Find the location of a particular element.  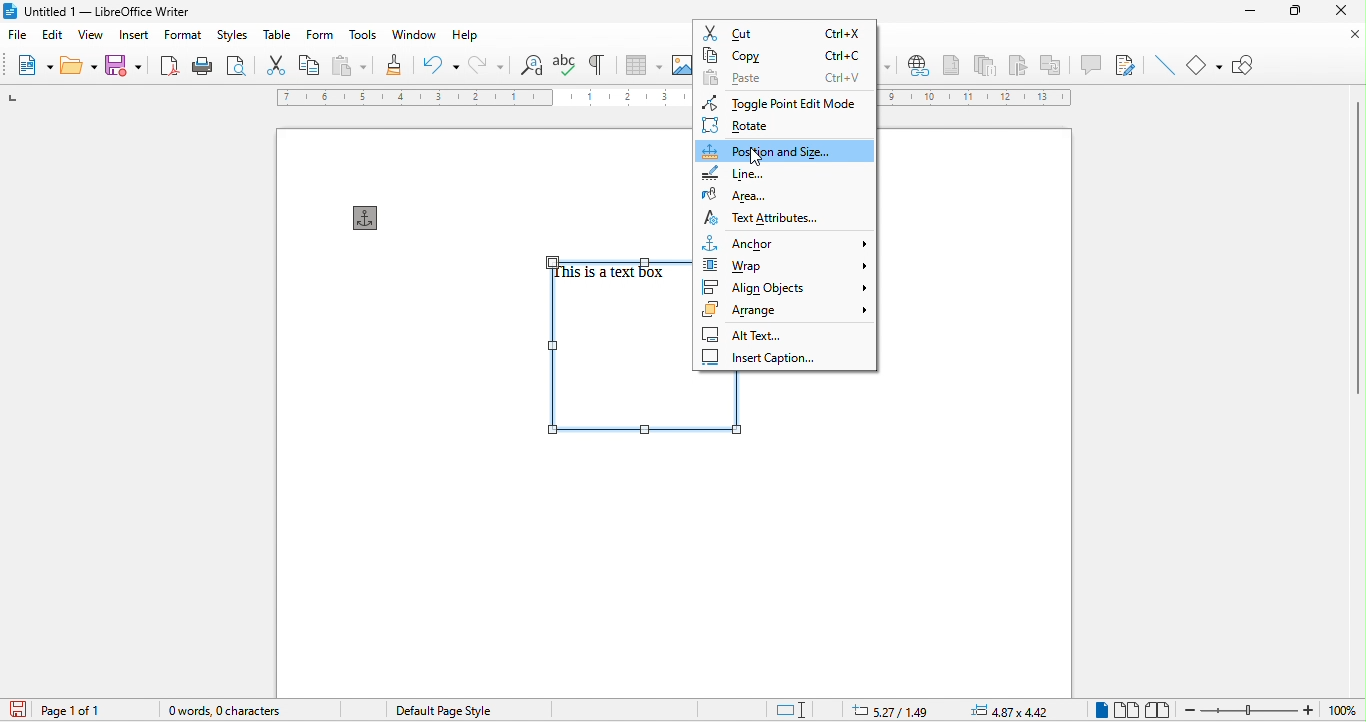

toggle formatting marks is located at coordinates (600, 63).